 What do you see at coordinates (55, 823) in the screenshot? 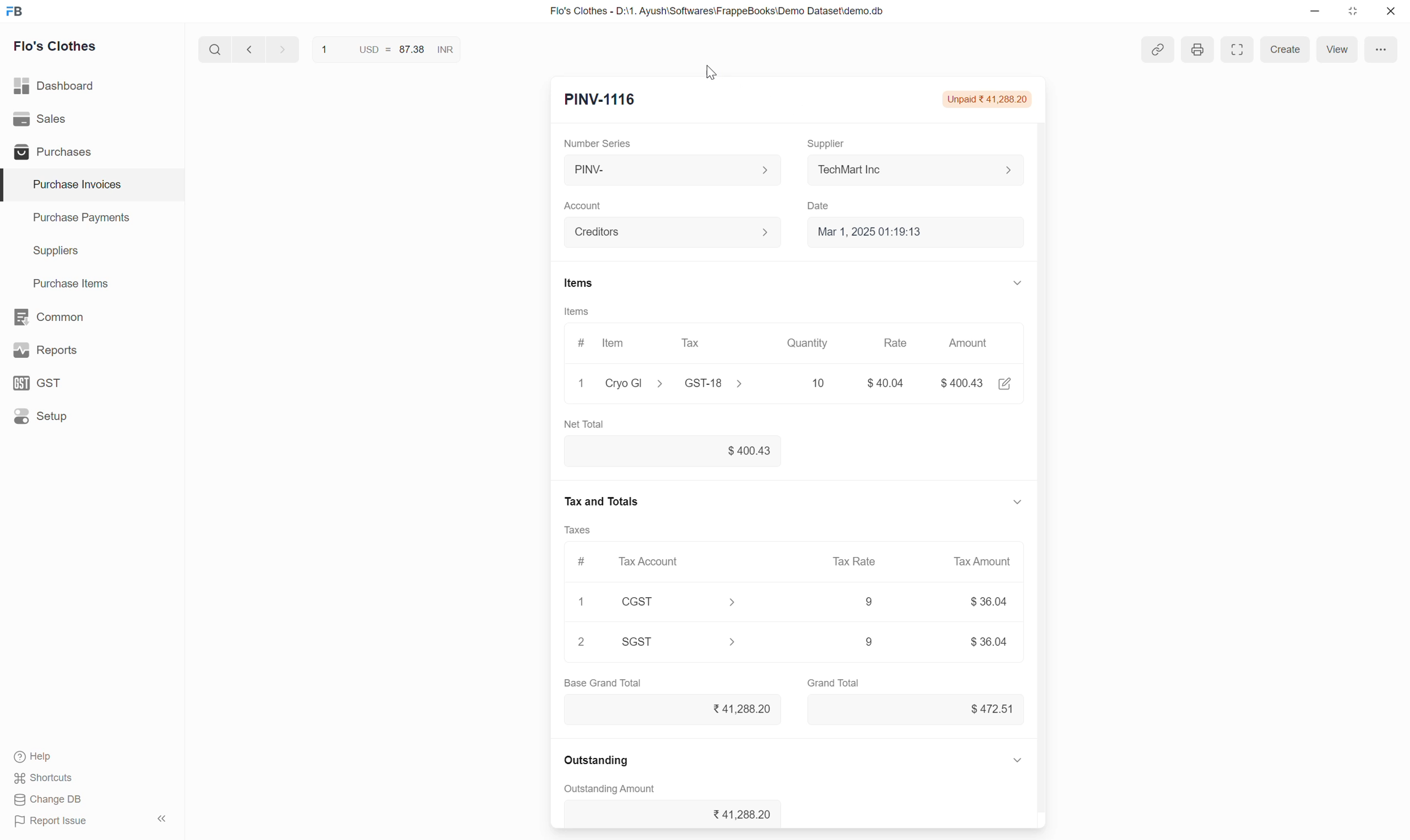
I see `Report issue` at bounding box center [55, 823].